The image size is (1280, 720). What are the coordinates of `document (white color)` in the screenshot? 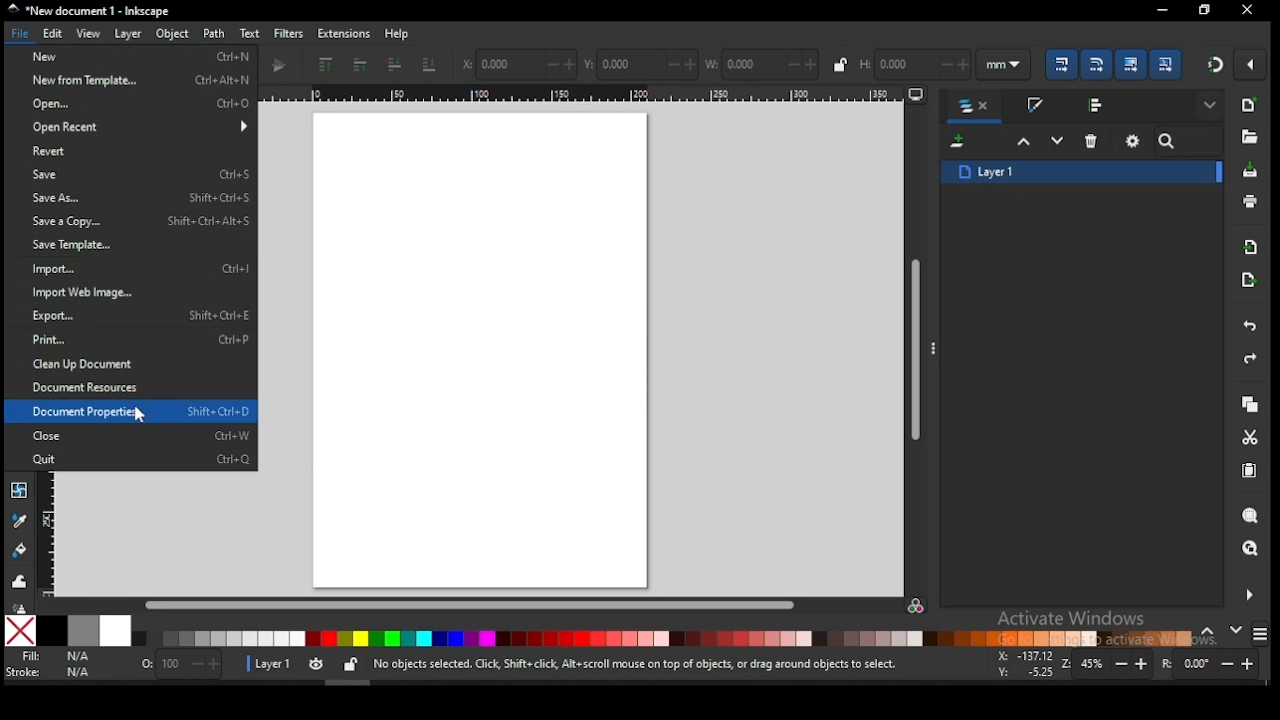 It's located at (481, 349).